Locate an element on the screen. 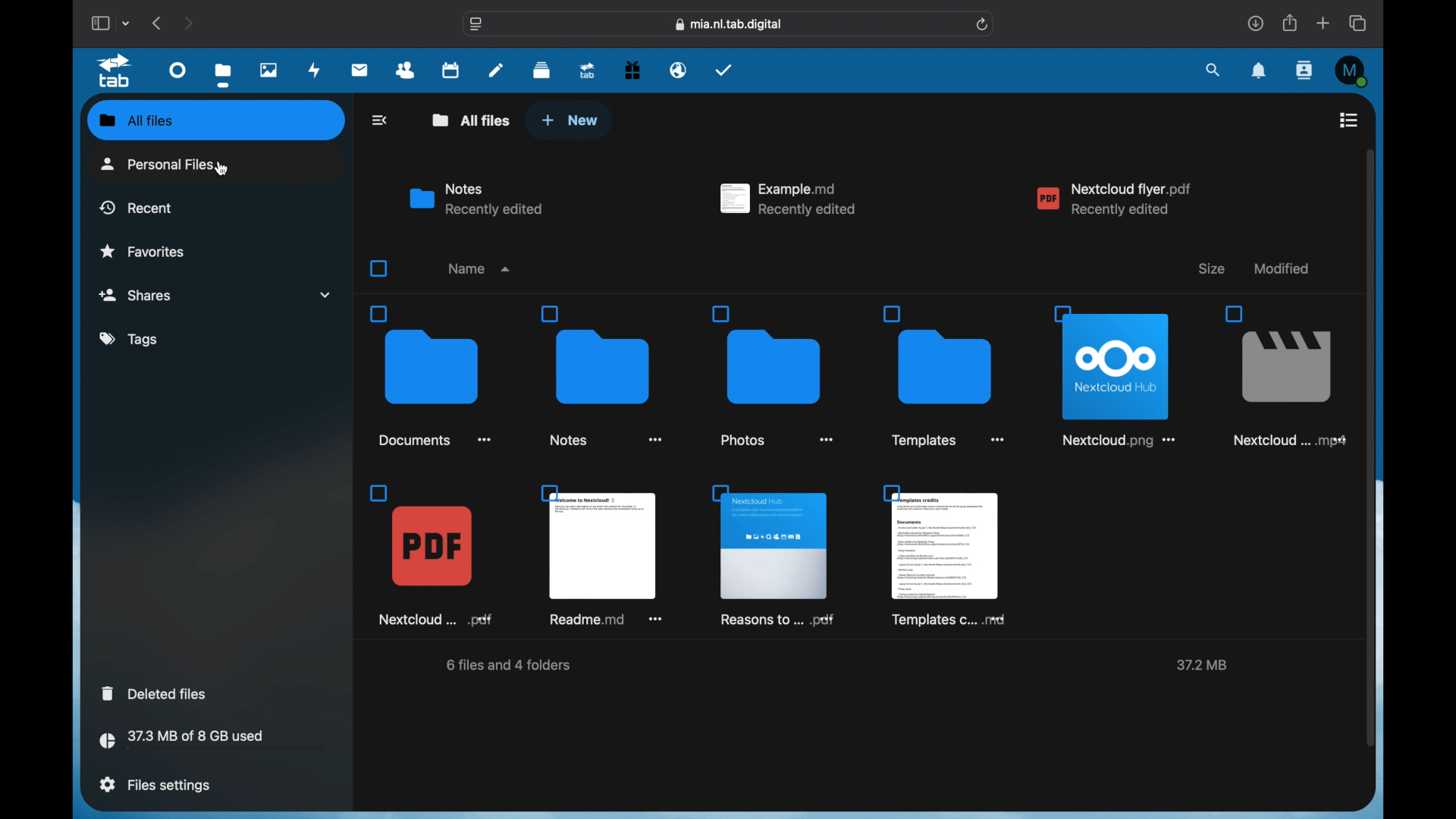  cursor is located at coordinates (218, 168).